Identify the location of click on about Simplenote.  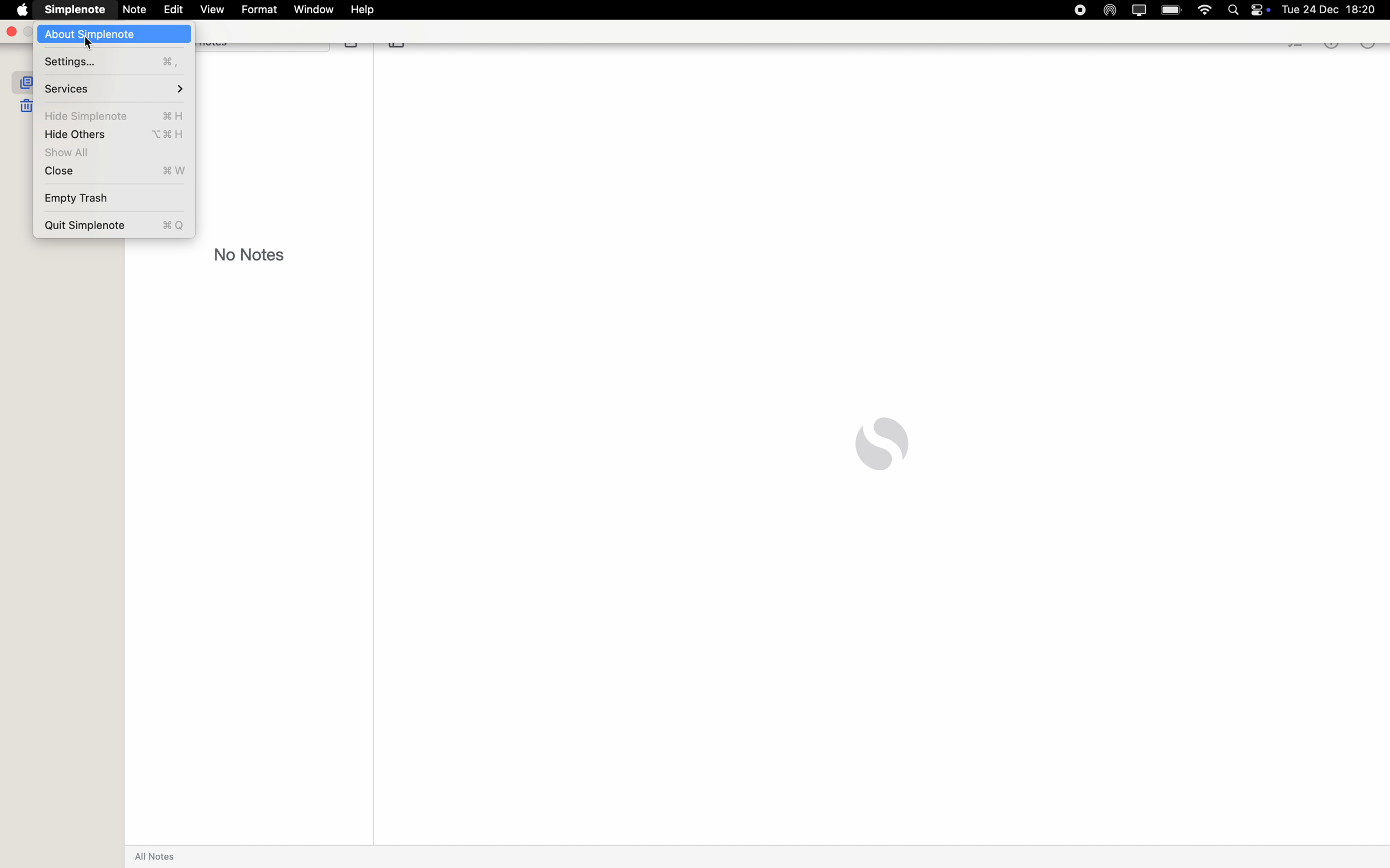
(115, 35).